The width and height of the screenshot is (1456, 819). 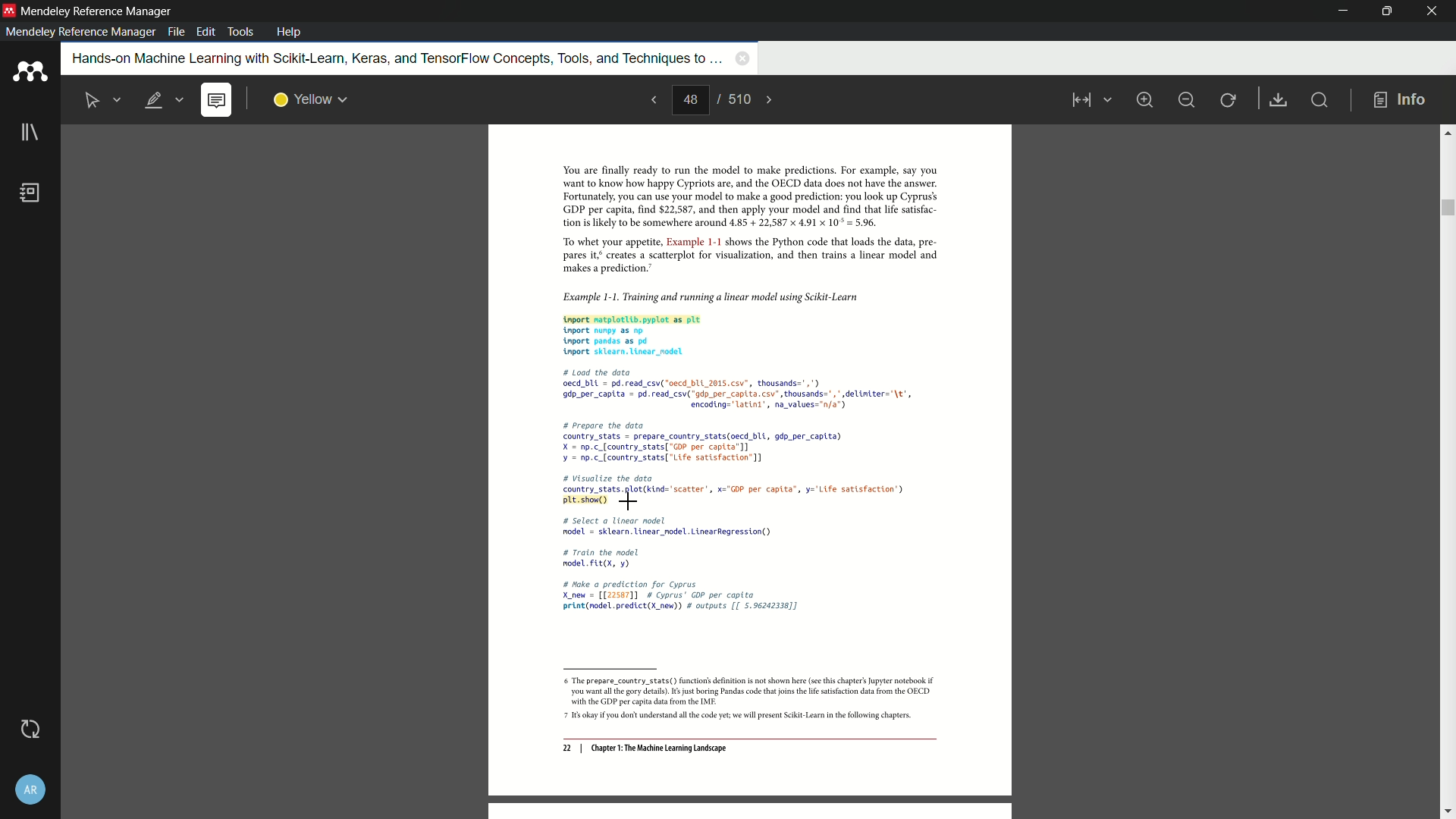 What do you see at coordinates (30, 72) in the screenshot?
I see `app icon` at bounding box center [30, 72].